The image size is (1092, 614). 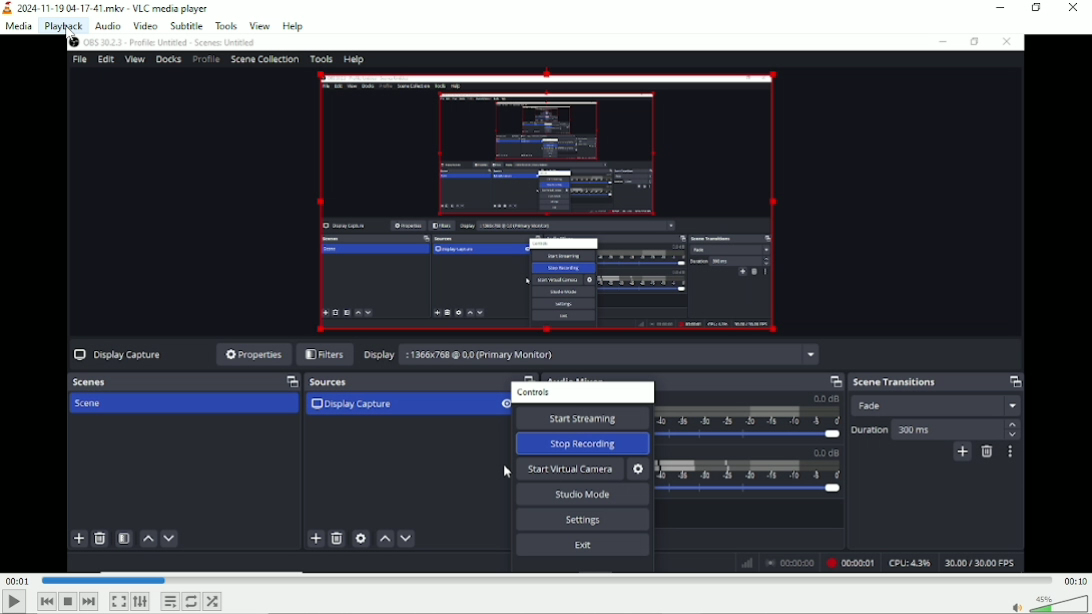 What do you see at coordinates (15, 579) in the screenshot?
I see `Elapsed time` at bounding box center [15, 579].